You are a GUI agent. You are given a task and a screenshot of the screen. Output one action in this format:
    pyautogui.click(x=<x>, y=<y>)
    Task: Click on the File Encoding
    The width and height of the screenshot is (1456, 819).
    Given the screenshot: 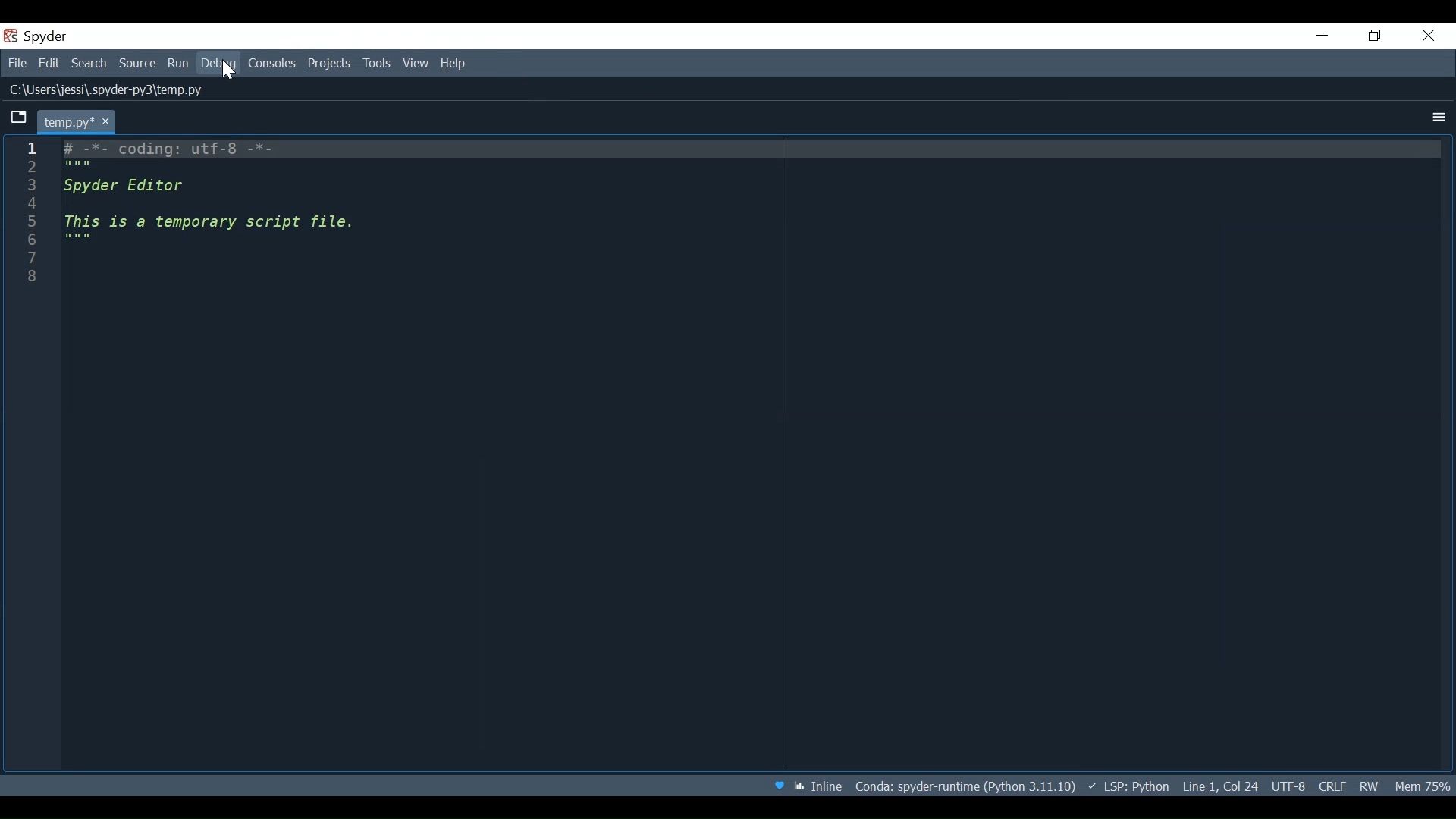 What is the action you would take?
    pyautogui.click(x=1291, y=786)
    